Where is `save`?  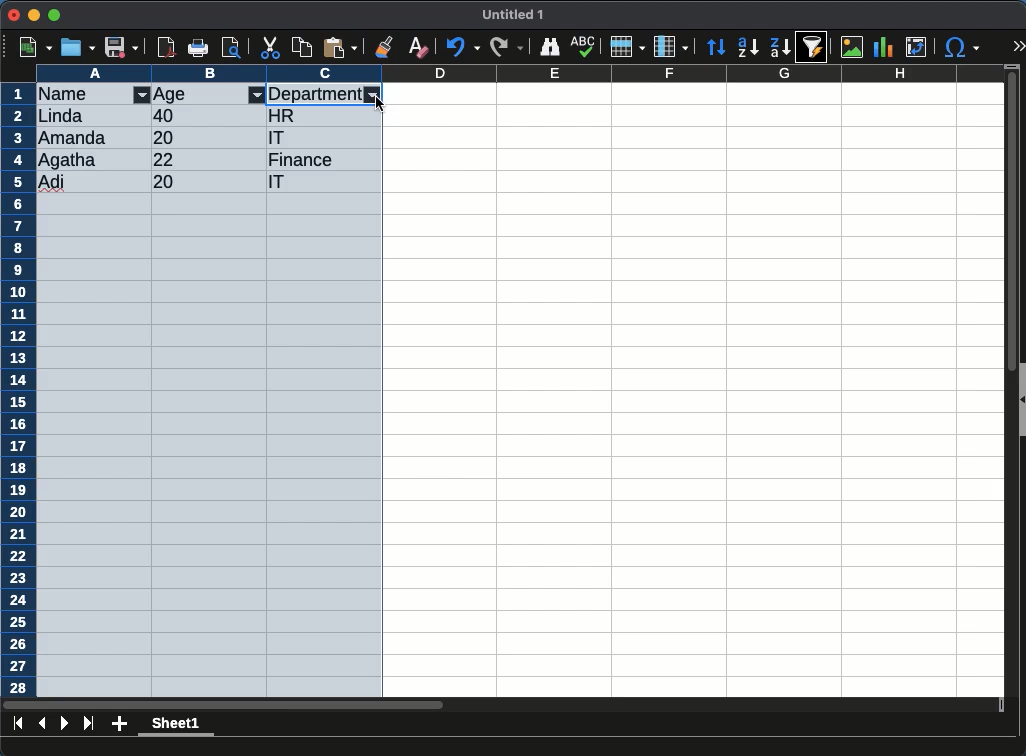
save is located at coordinates (122, 47).